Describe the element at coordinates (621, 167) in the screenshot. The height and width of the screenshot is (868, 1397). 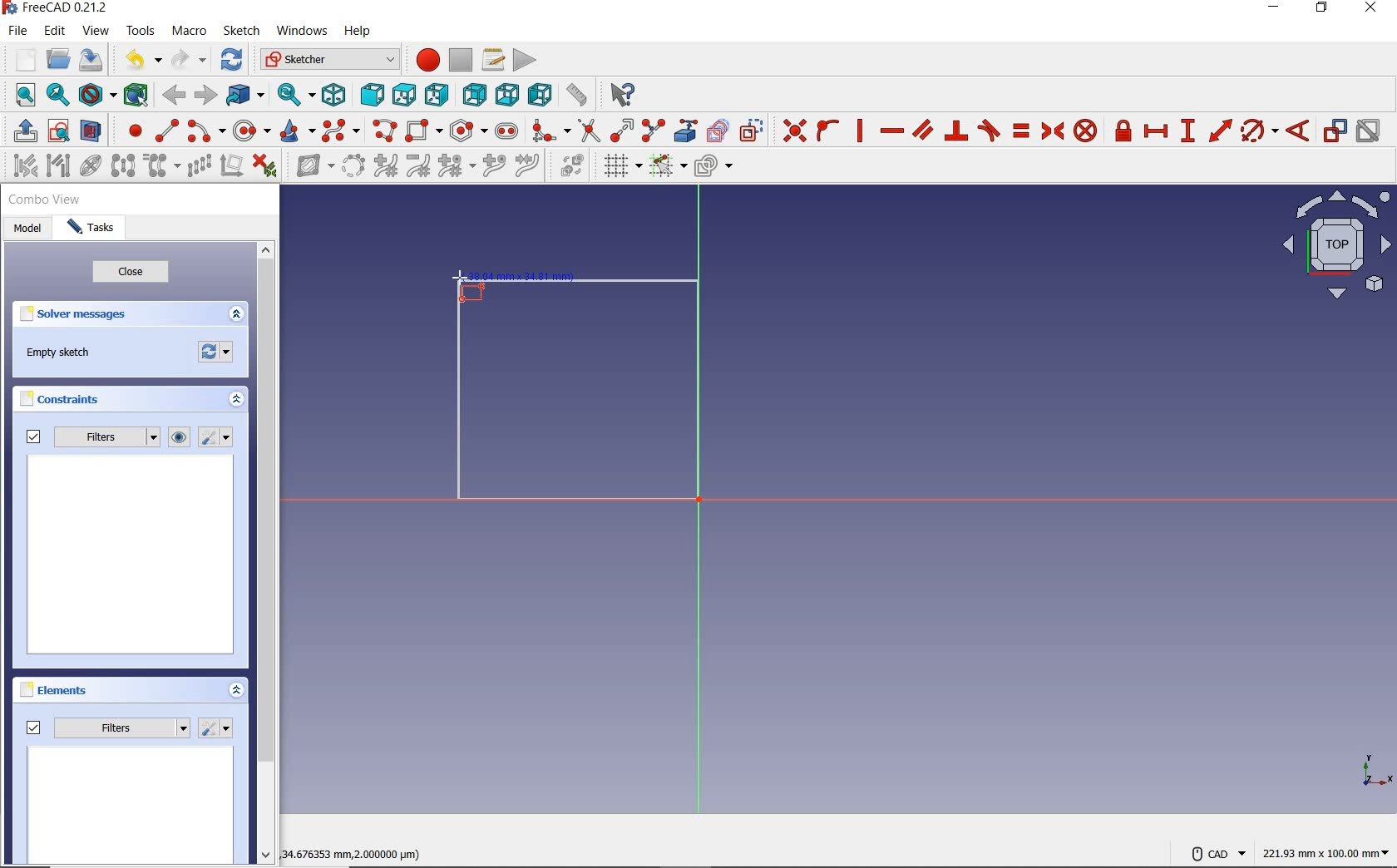
I see `toggle grid` at that location.